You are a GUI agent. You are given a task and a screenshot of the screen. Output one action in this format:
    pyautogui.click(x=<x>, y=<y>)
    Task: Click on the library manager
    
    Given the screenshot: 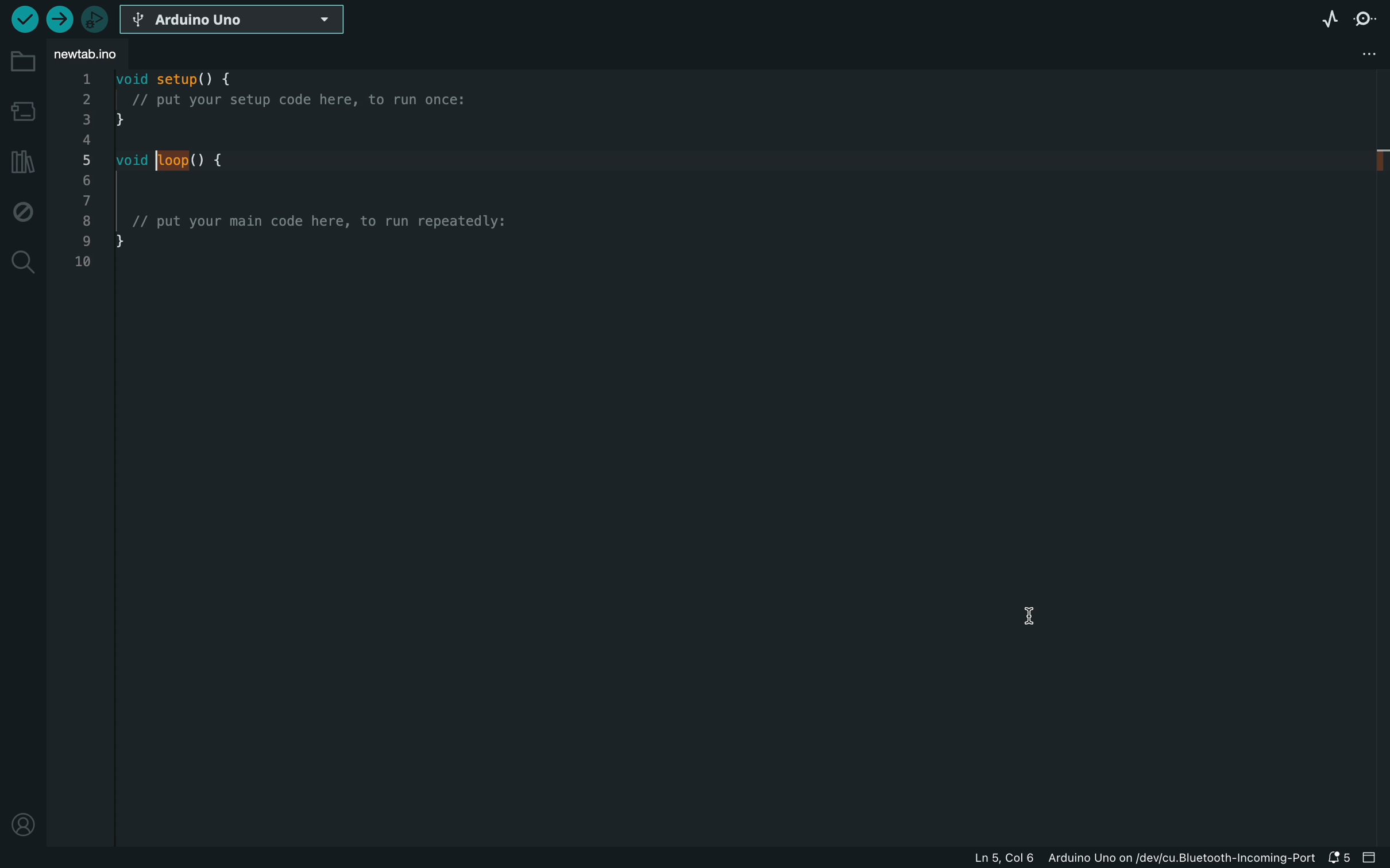 What is the action you would take?
    pyautogui.click(x=20, y=158)
    